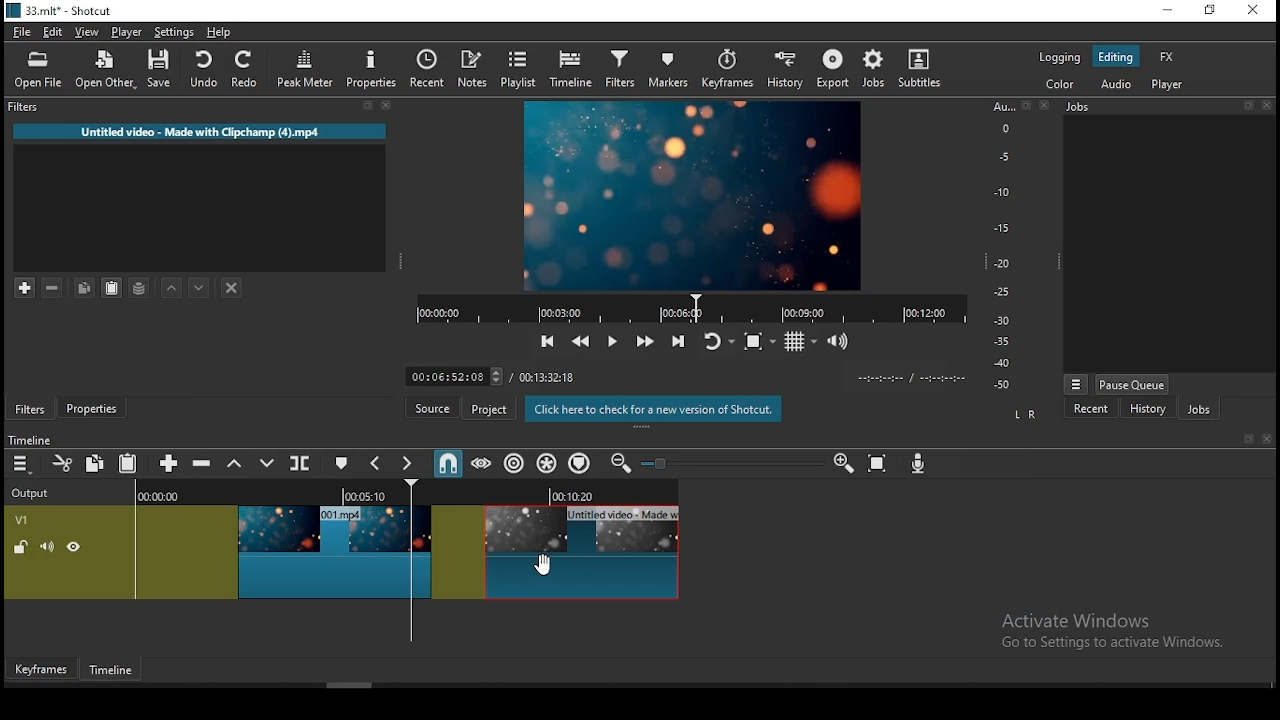 This screenshot has height=720, width=1280. What do you see at coordinates (85, 288) in the screenshot?
I see `copy selected filter` at bounding box center [85, 288].